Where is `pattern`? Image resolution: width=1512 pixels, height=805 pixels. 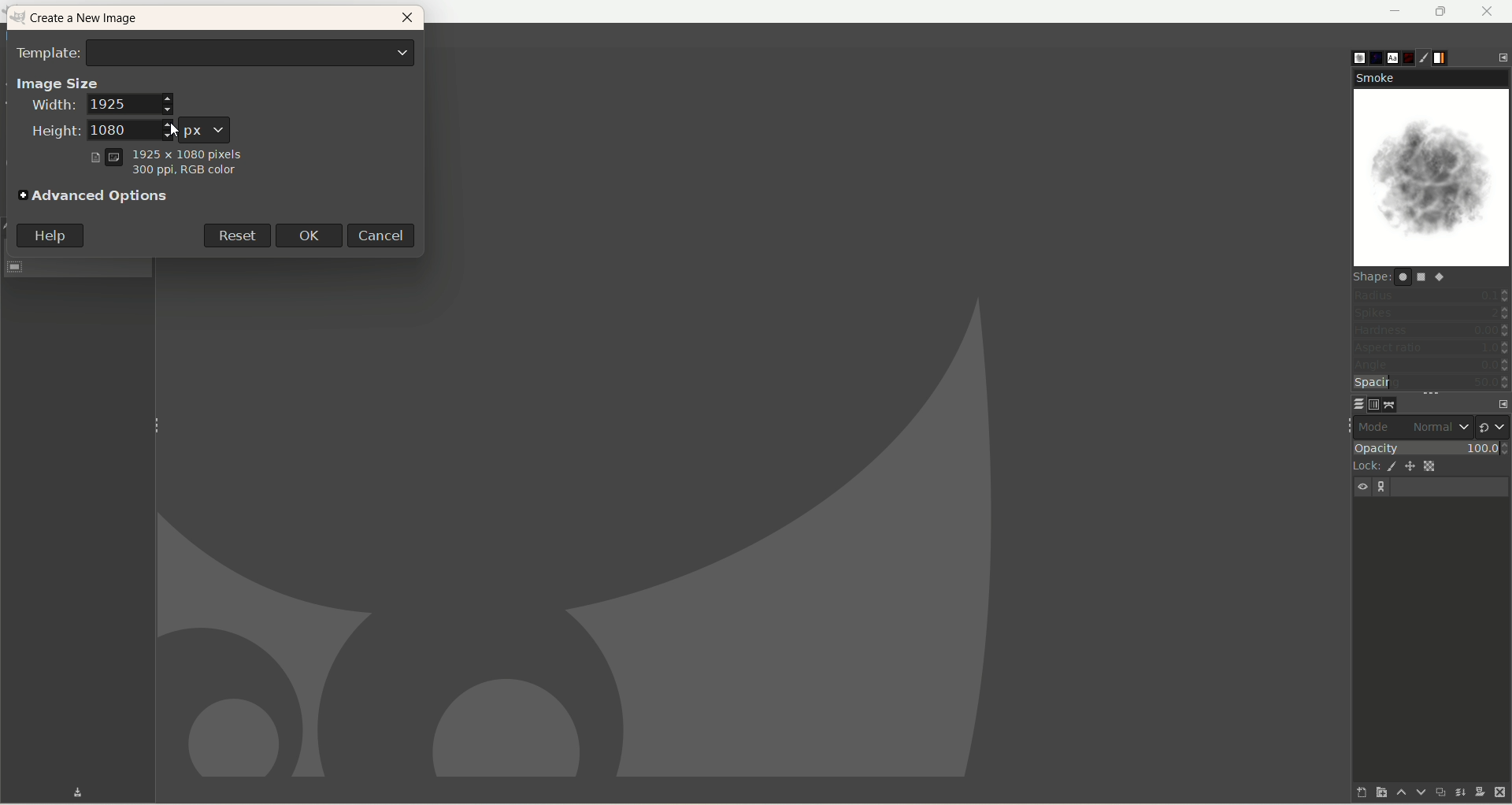 pattern is located at coordinates (1369, 57).